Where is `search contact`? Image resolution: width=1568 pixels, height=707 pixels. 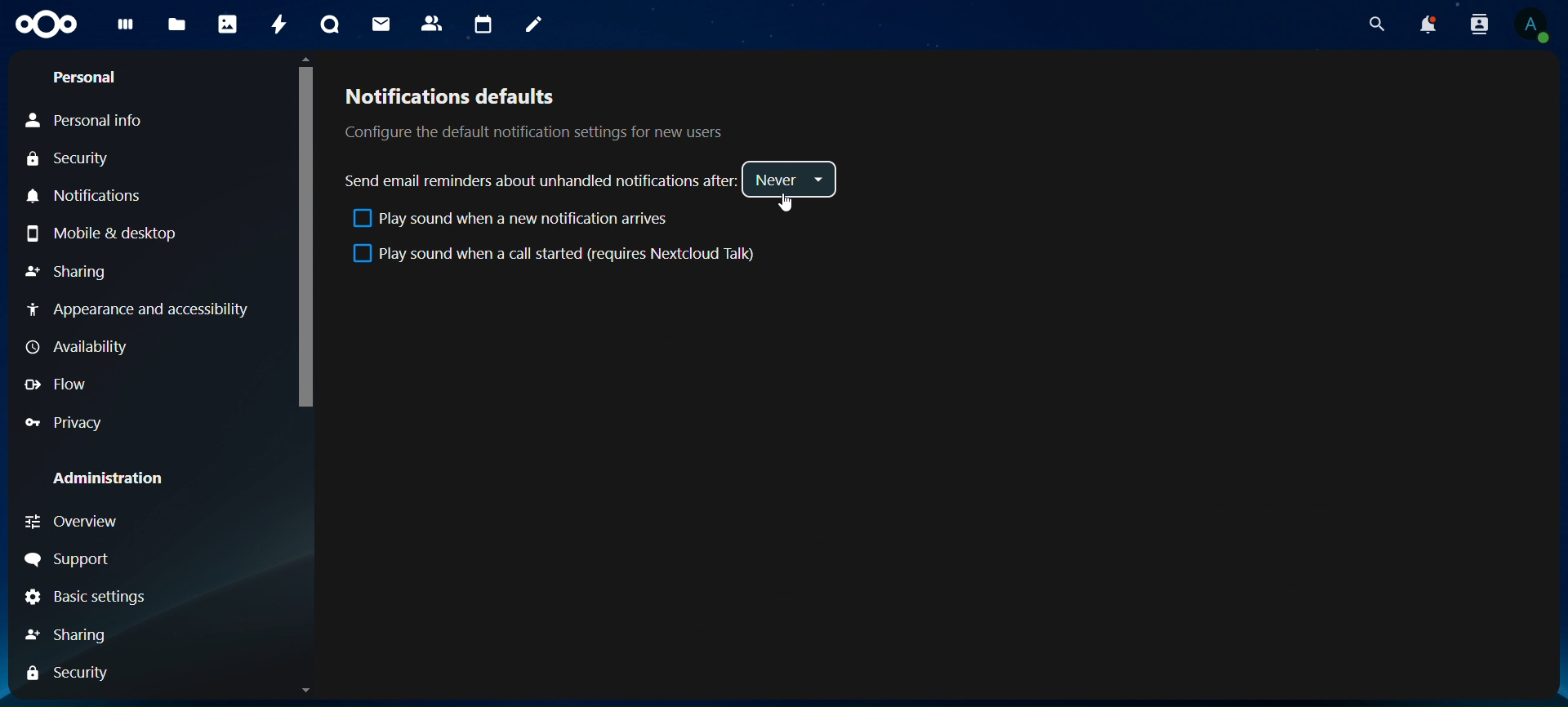
search contact is located at coordinates (1477, 23).